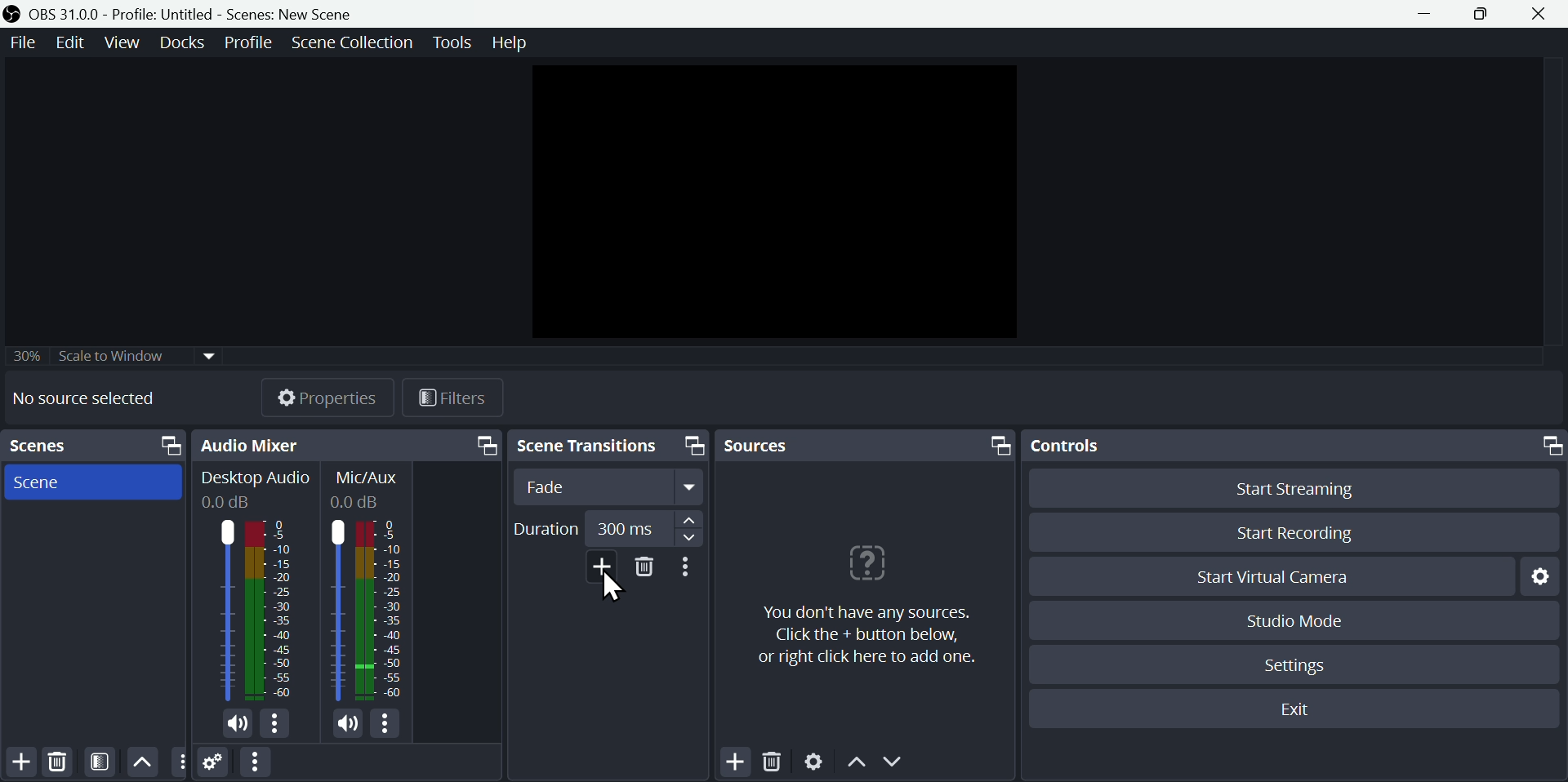  I want to click on No source selected, so click(96, 398).